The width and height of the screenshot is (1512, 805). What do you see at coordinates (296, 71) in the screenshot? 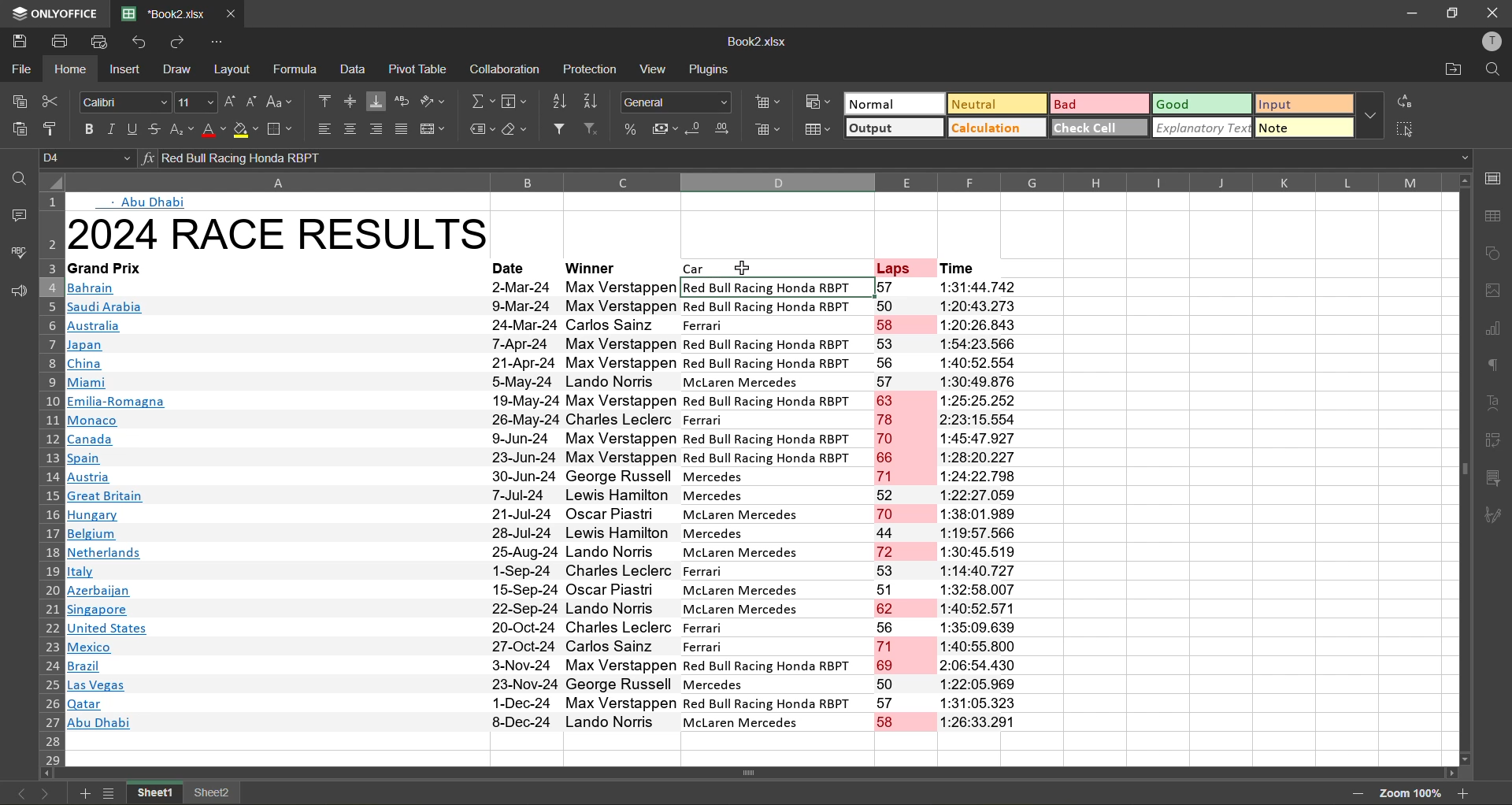
I see `formula` at bounding box center [296, 71].